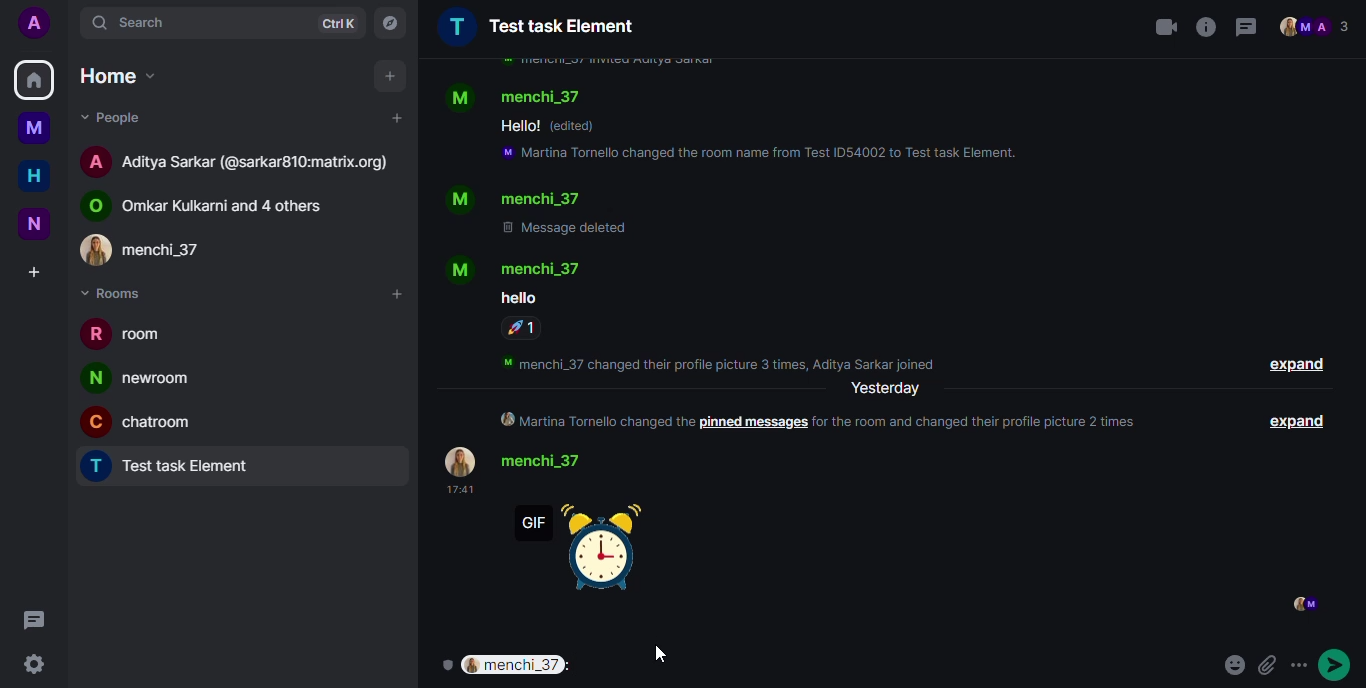  What do you see at coordinates (116, 75) in the screenshot?
I see `home` at bounding box center [116, 75].